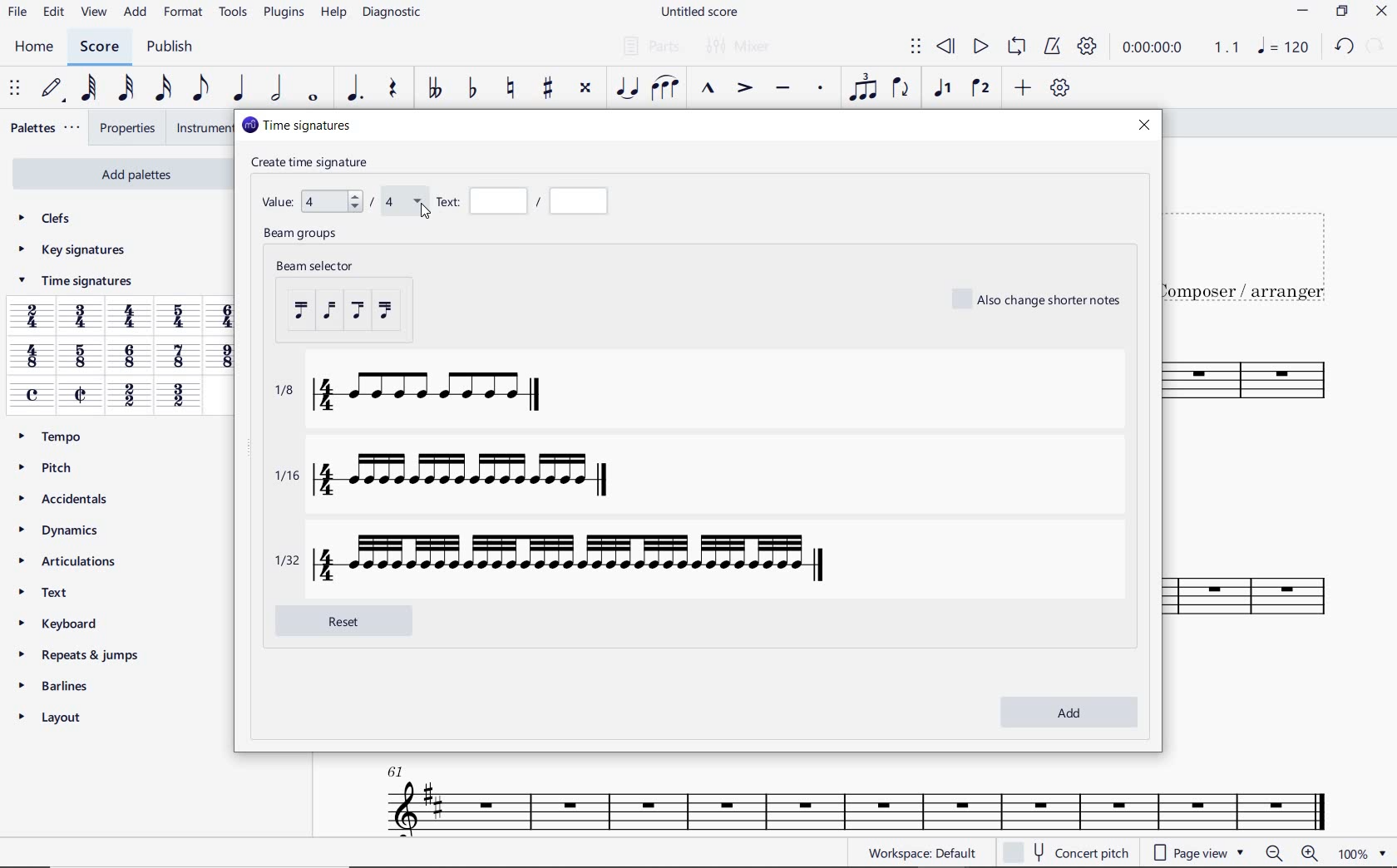 This screenshot has height=868, width=1397. What do you see at coordinates (128, 397) in the screenshot?
I see `2/2` at bounding box center [128, 397].